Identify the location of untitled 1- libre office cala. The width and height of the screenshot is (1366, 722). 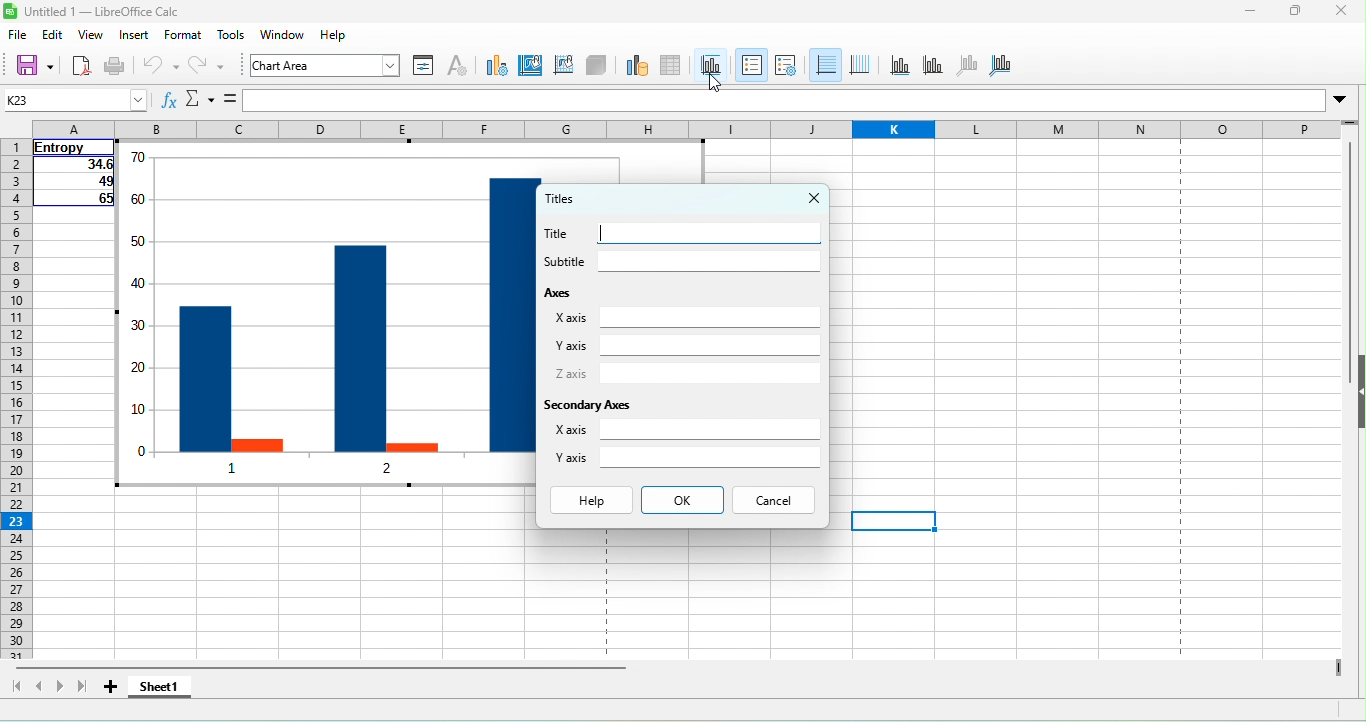
(96, 13).